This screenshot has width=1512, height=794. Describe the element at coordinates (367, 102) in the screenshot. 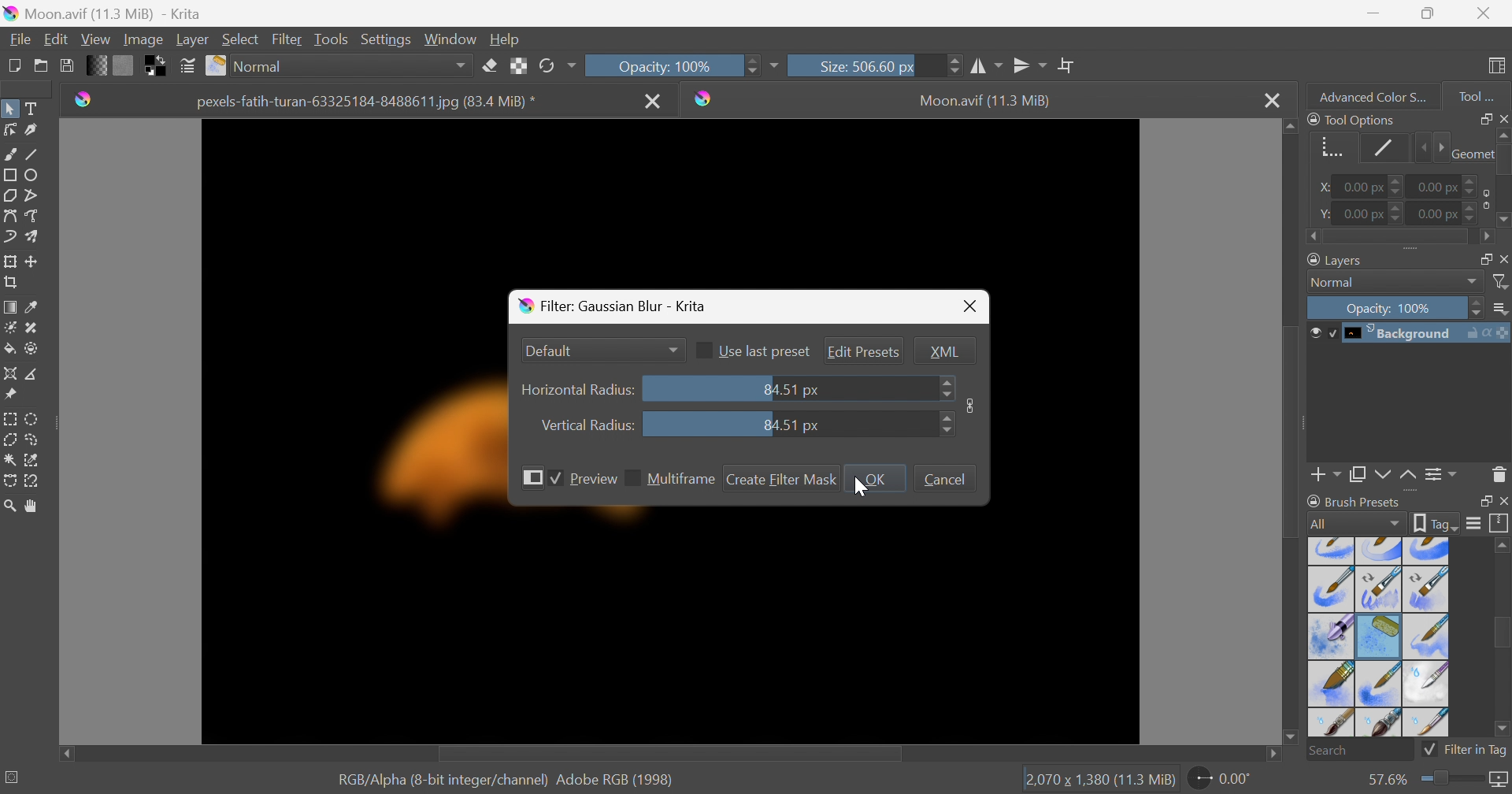

I see `pexels-fatih-turan-63325184-8488611.jpg (83.4 MiB) *)` at that location.